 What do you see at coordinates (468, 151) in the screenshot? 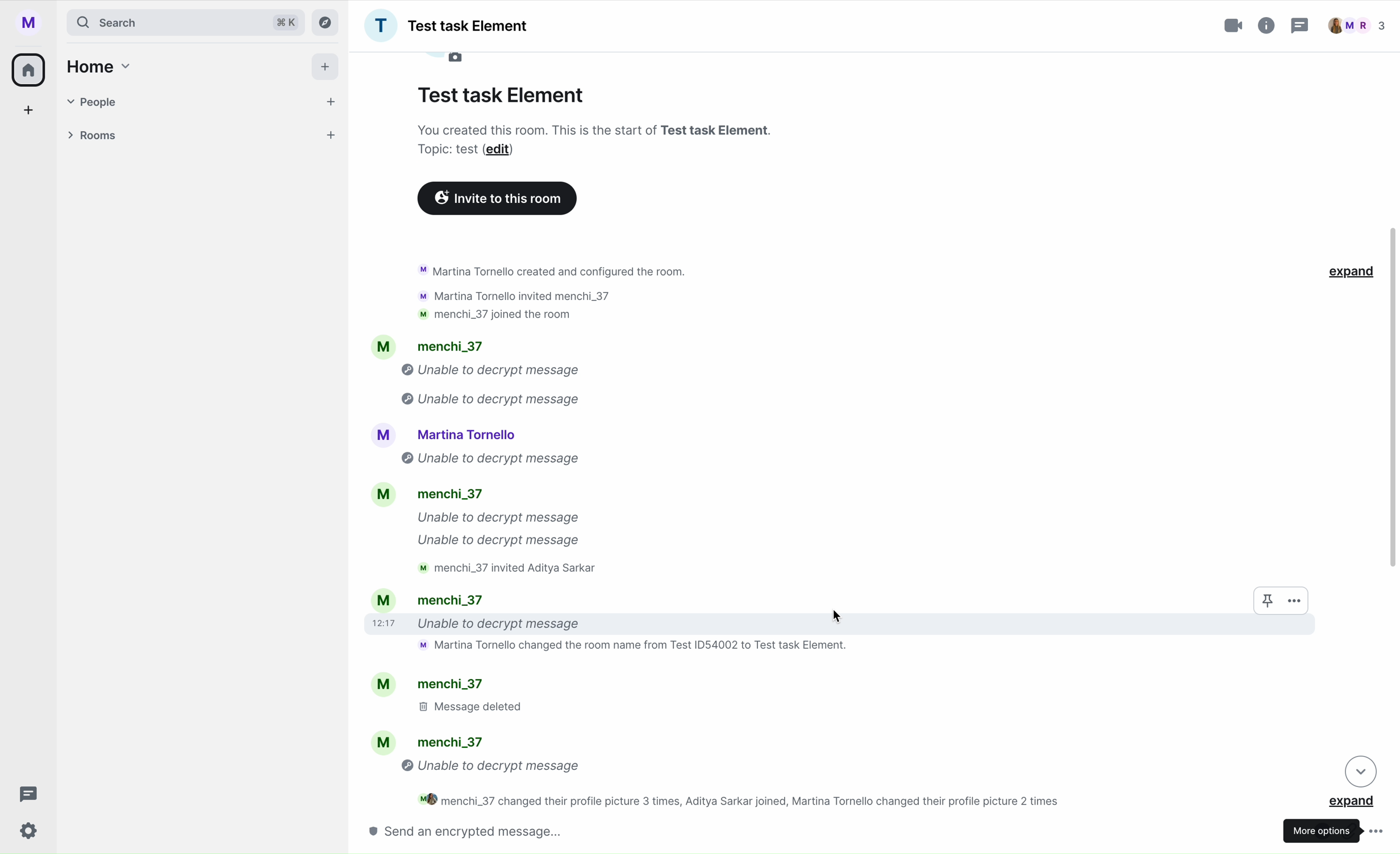
I see `Topic: test (edit)` at bounding box center [468, 151].